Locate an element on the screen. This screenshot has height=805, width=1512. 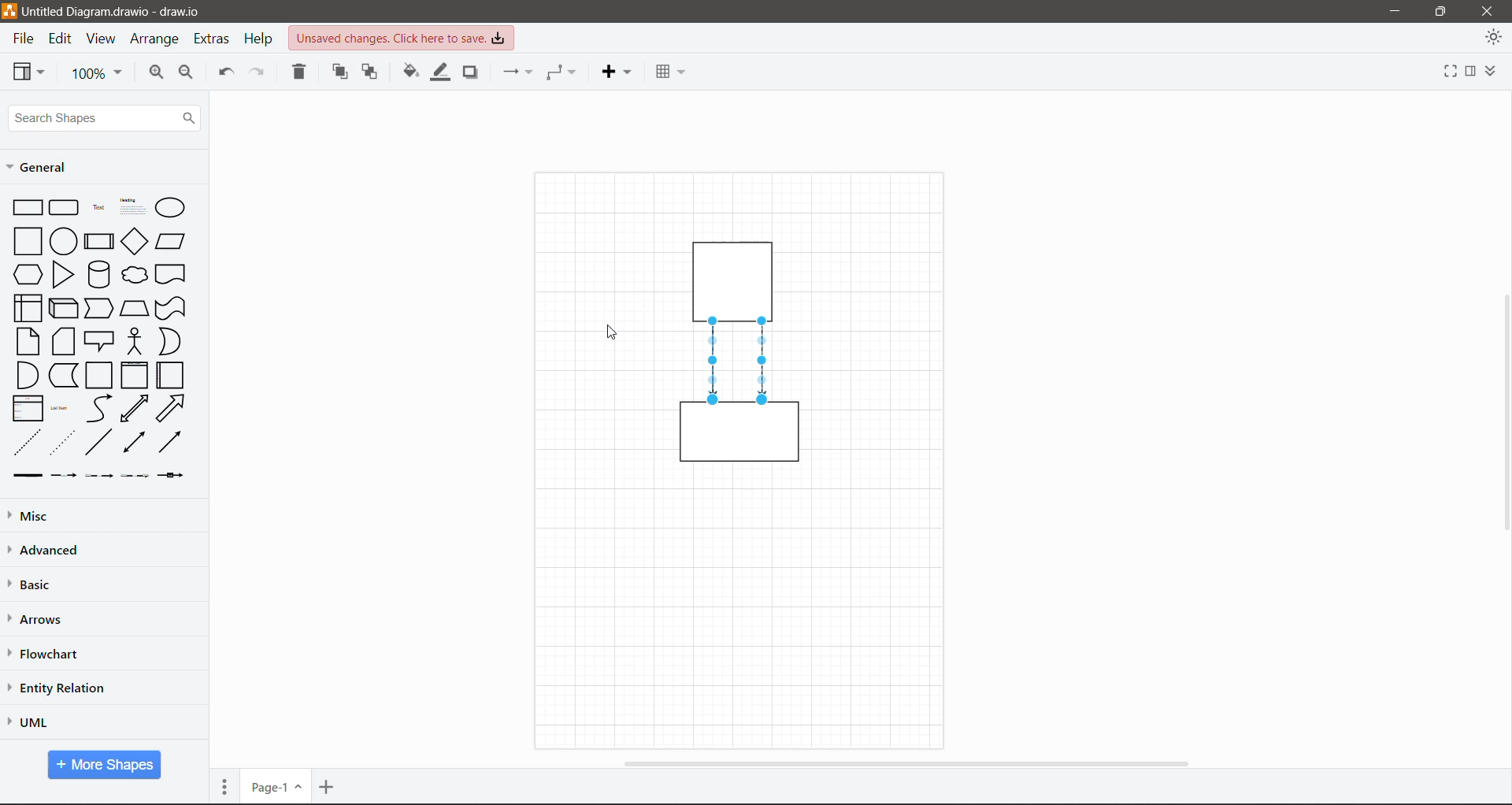
Vertical Scroll Bar is located at coordinates (1502, 412).